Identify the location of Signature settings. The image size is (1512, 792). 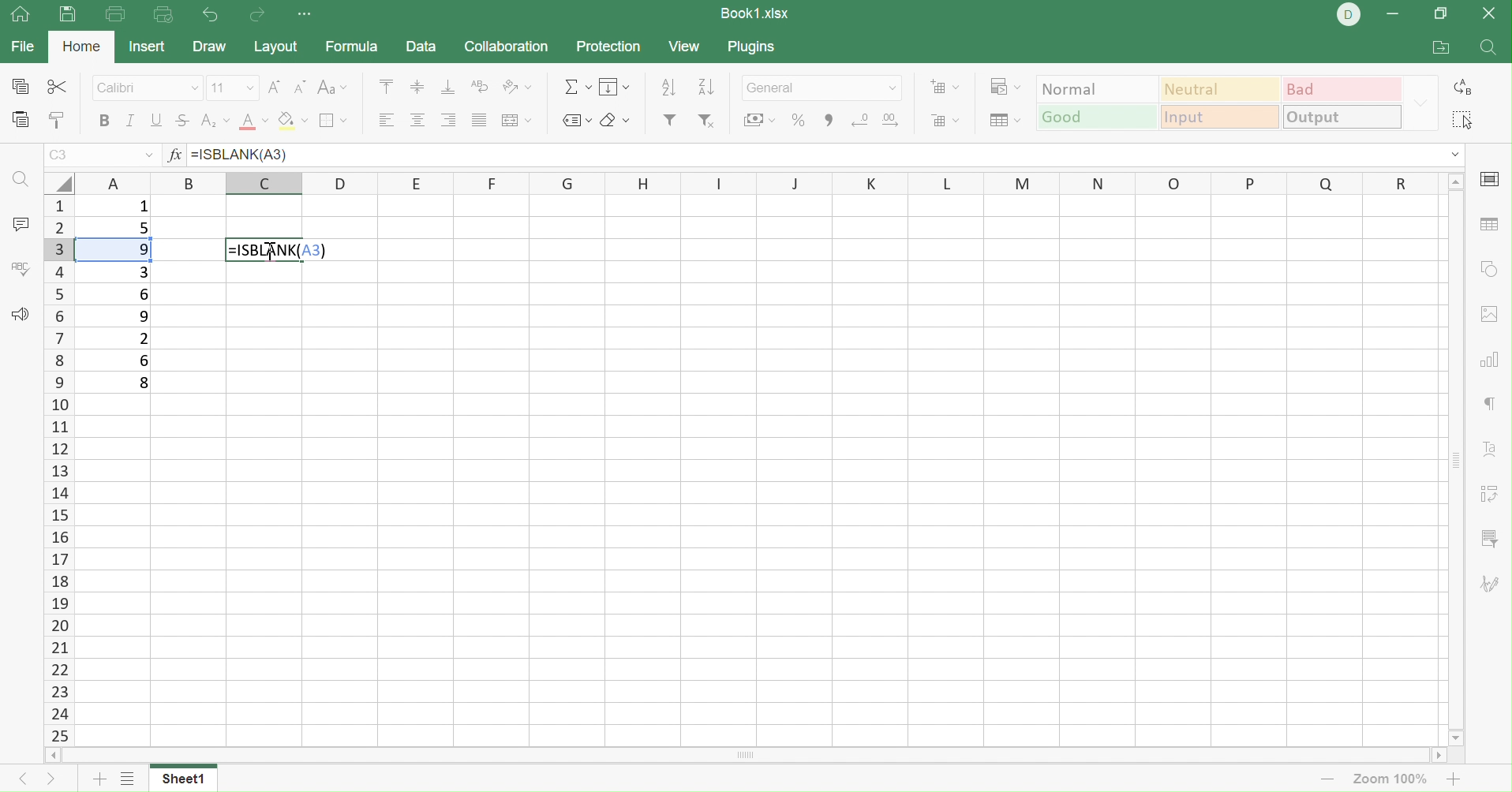
(1493, 581).